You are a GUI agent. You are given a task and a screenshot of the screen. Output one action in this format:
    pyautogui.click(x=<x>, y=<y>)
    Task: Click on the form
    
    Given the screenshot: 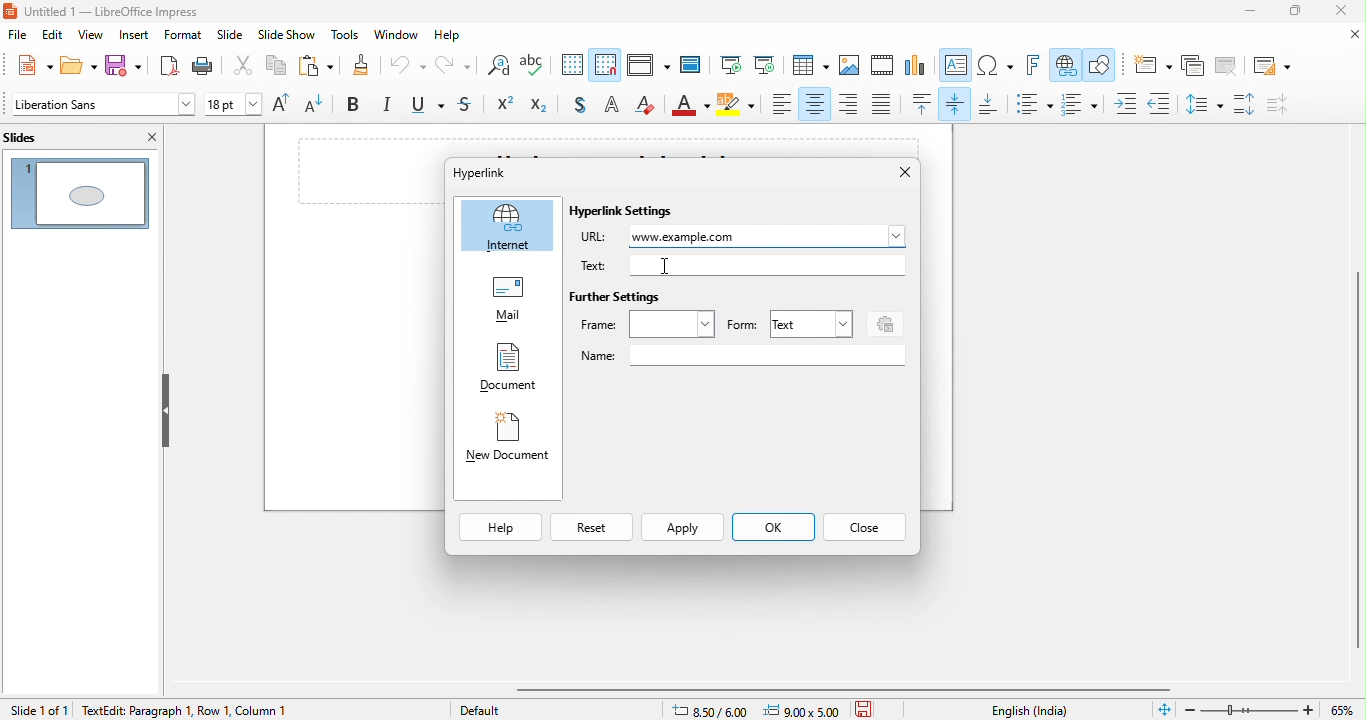 What is the action you would take?
    pyautogui.click(x=742, y=326)
    